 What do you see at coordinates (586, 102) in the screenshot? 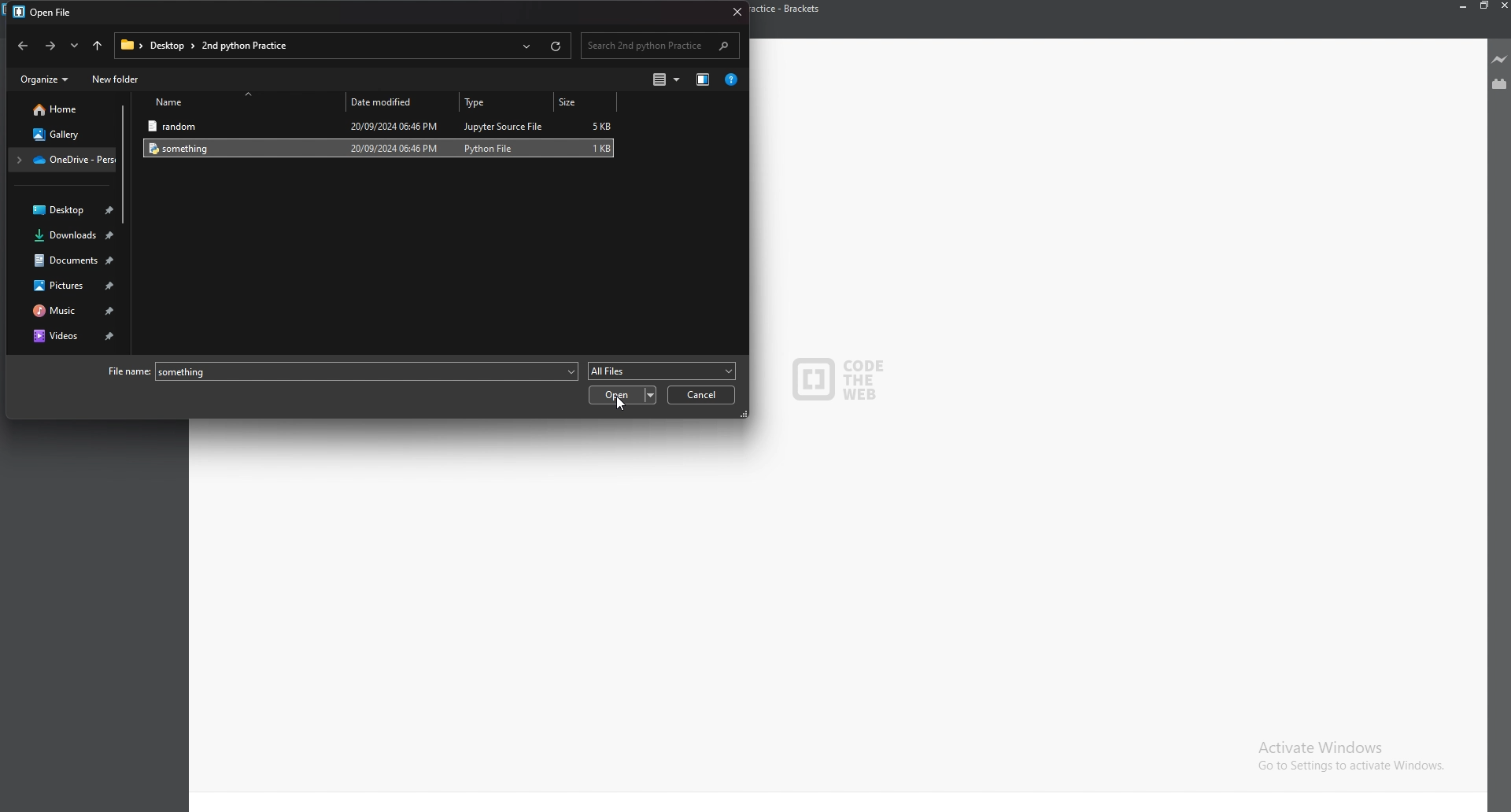
I see `size` at bounding box center [586, 102].